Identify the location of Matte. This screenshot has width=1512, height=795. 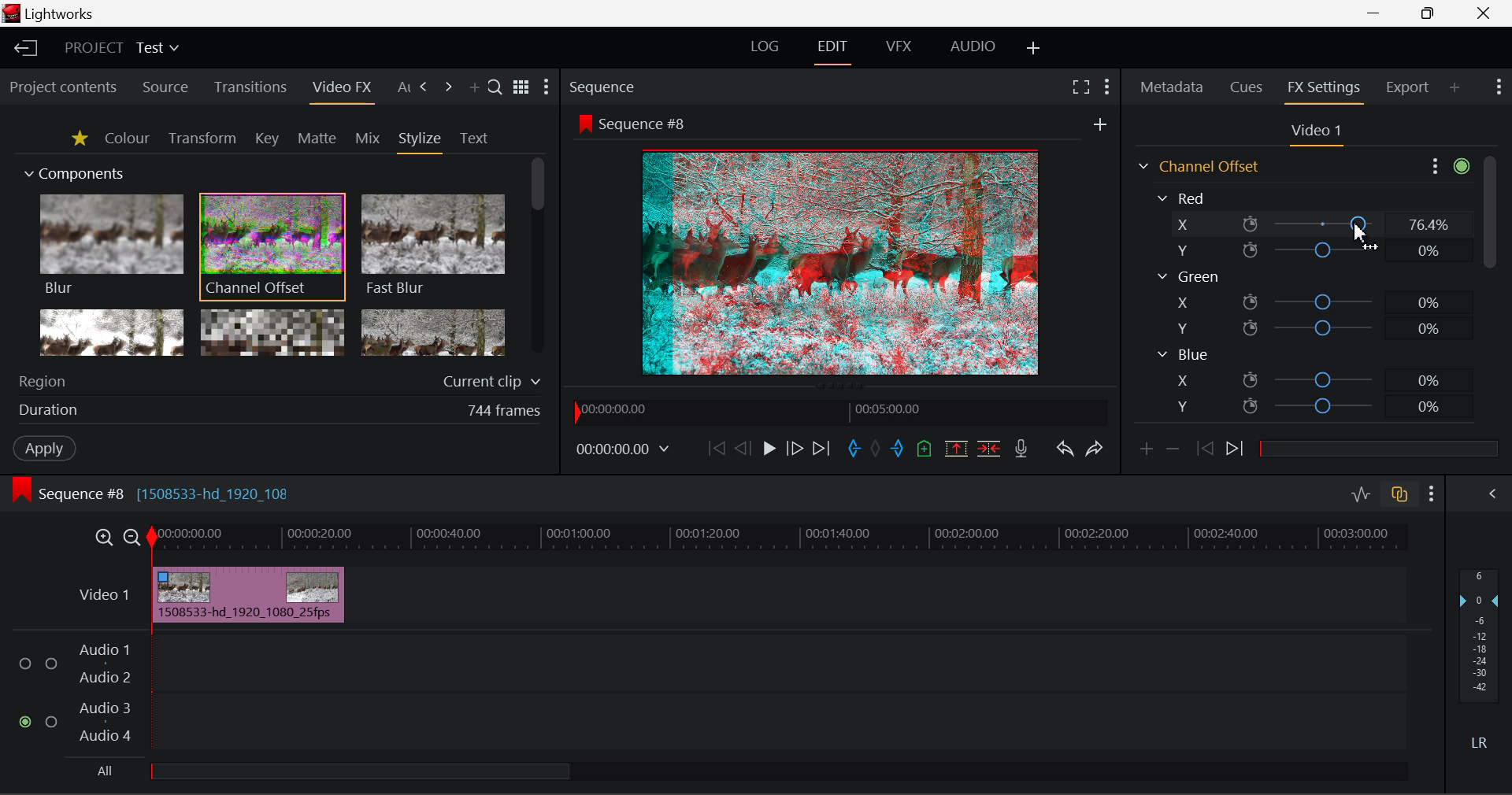
(317, 139).